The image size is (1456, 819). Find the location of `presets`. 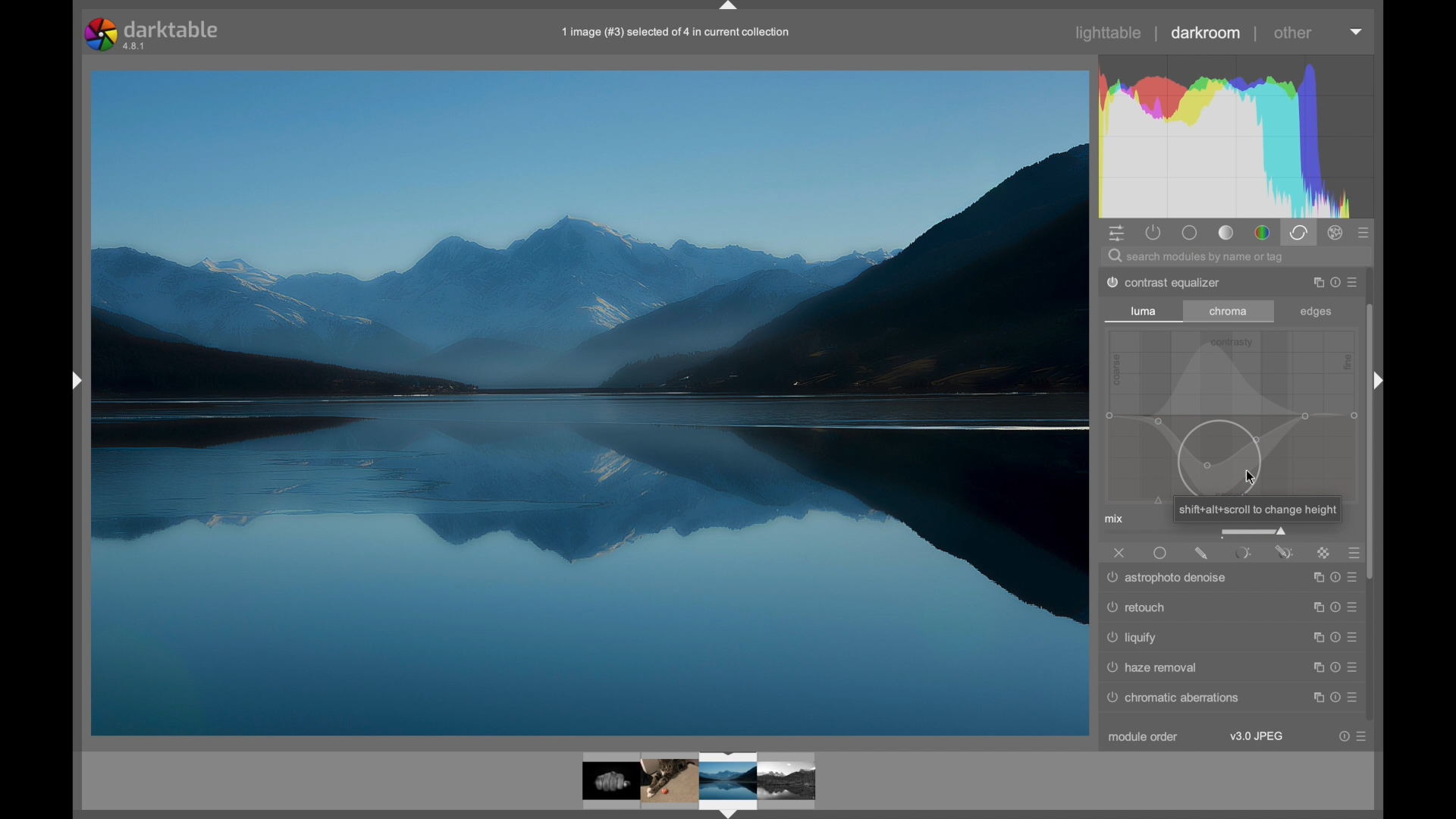

presets is located at coordinates (1364, 232).